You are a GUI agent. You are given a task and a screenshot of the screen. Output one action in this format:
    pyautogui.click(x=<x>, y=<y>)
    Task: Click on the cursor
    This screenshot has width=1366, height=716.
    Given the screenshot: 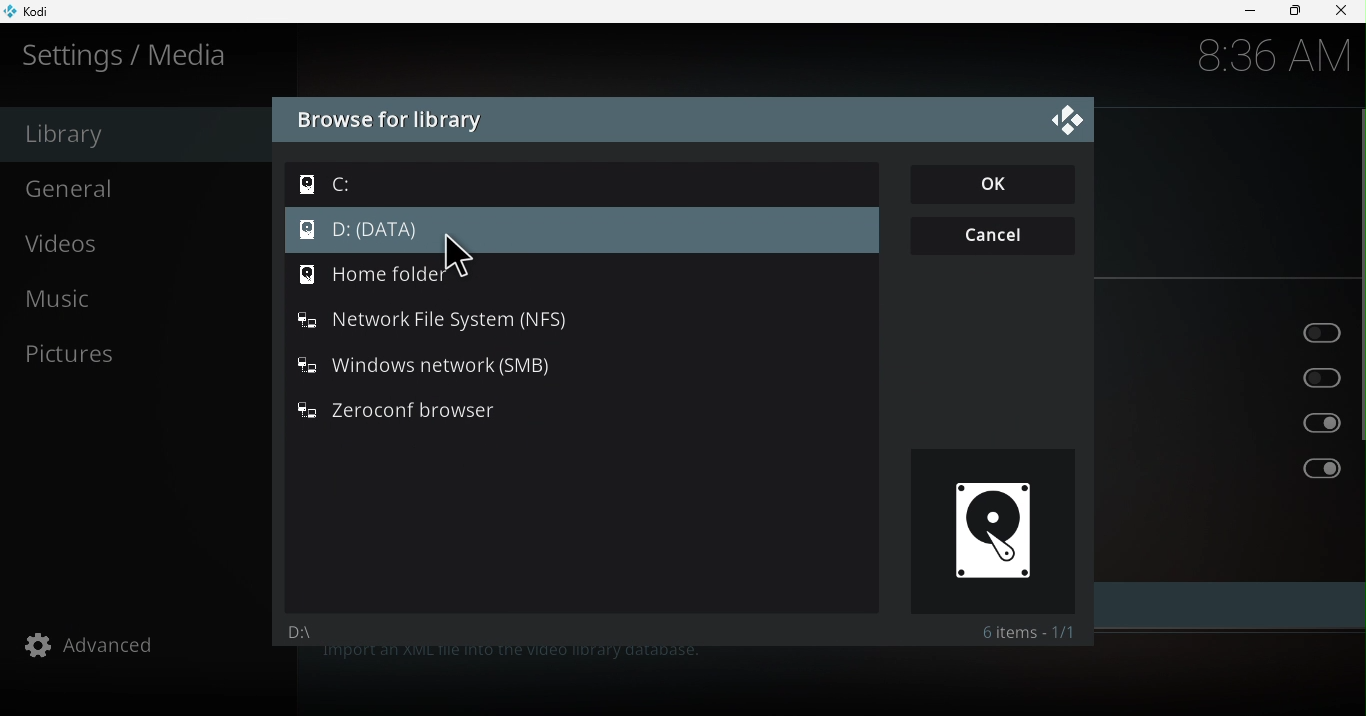 What is the action you would take?
    pyautogui.click(x=458, y=261)
    